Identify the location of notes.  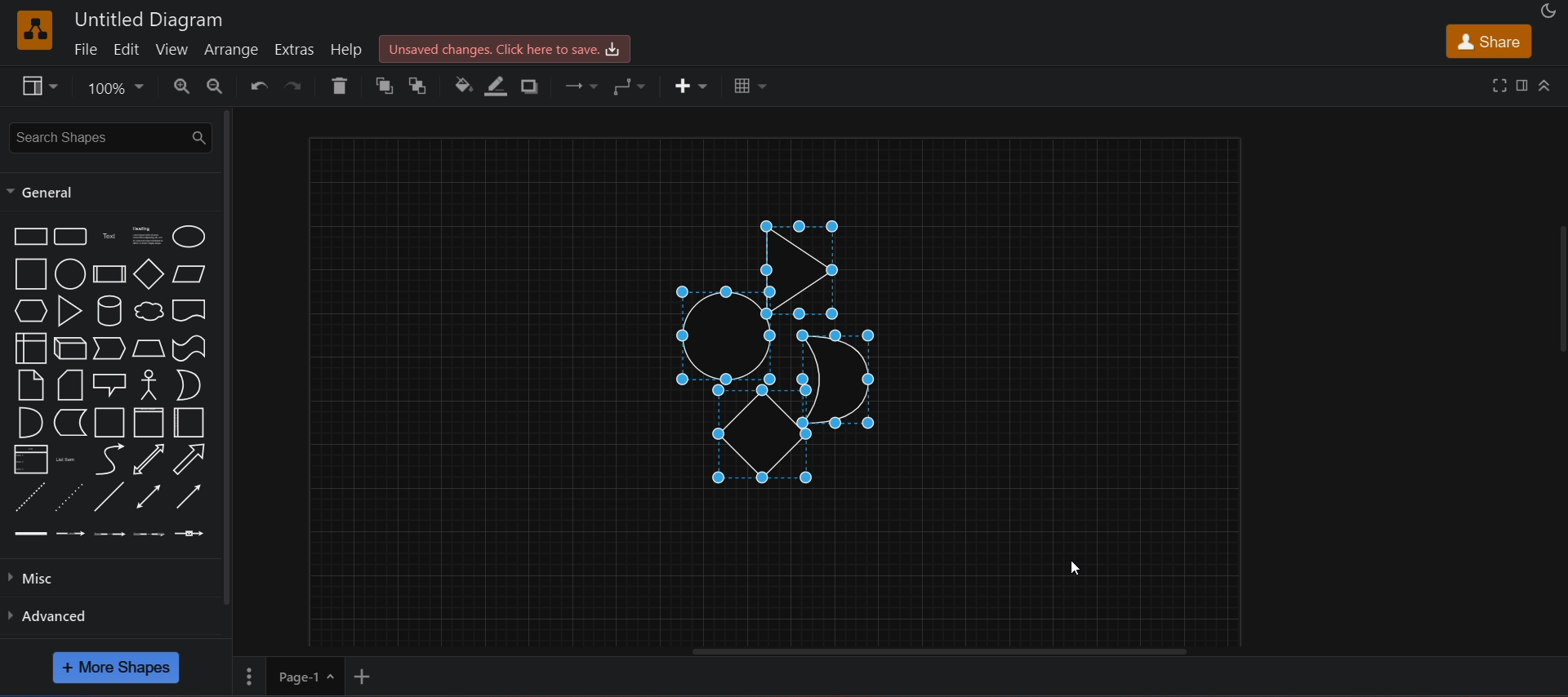
(30, 385).